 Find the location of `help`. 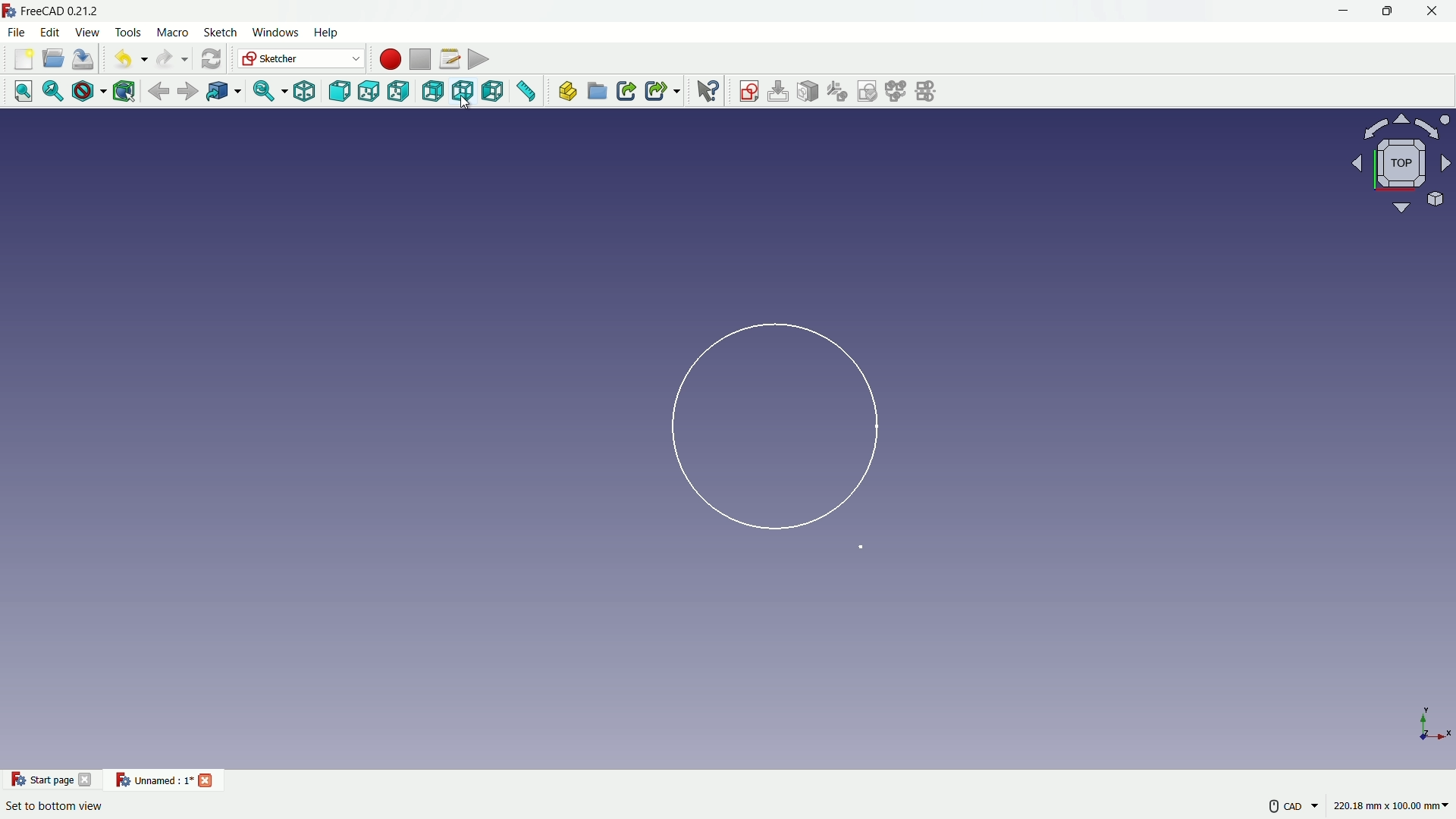

help is located at coordinates (708, 92).